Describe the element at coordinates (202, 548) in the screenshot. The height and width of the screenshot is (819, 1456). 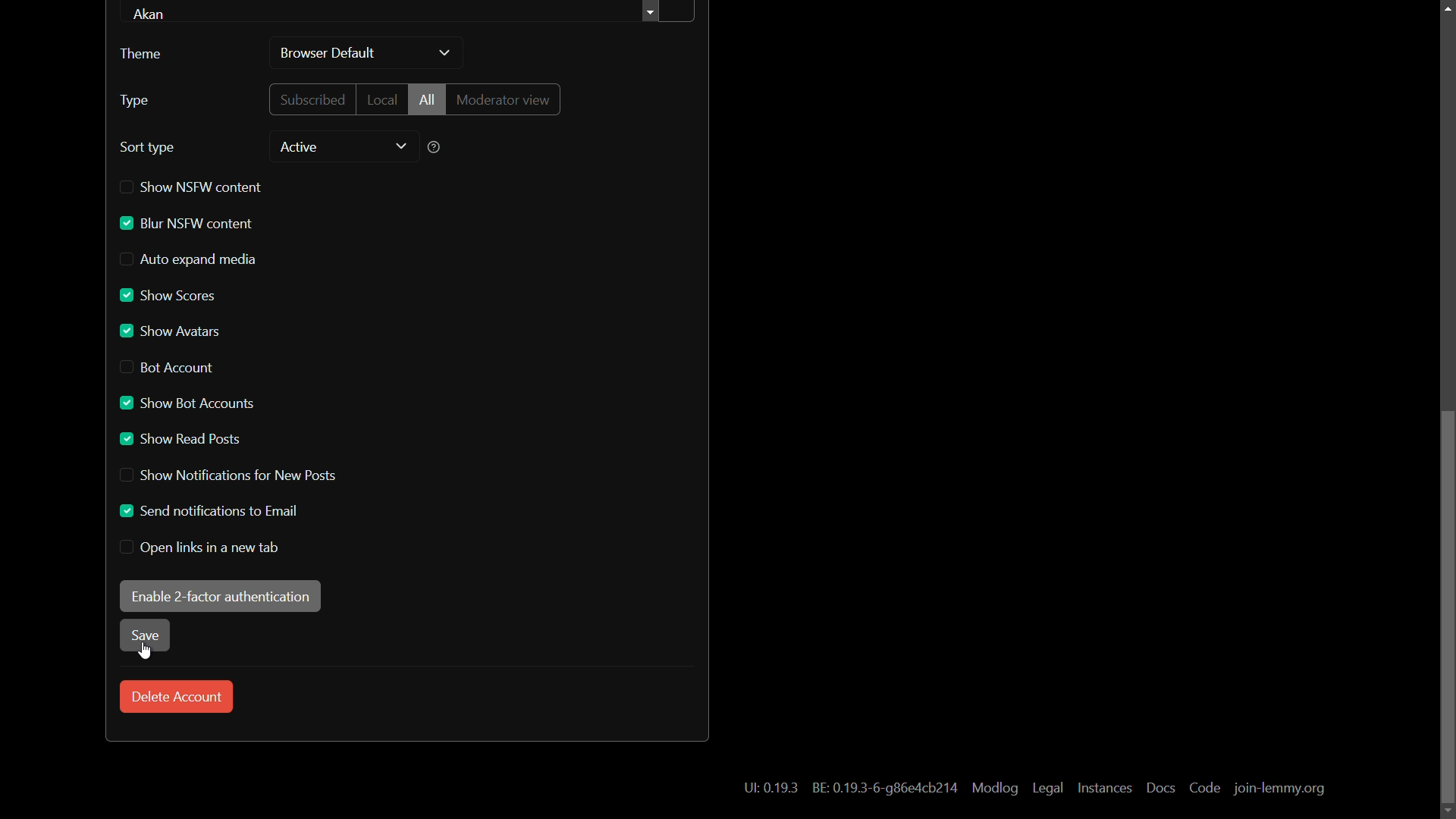
I see `open links in a new tab` at that location.